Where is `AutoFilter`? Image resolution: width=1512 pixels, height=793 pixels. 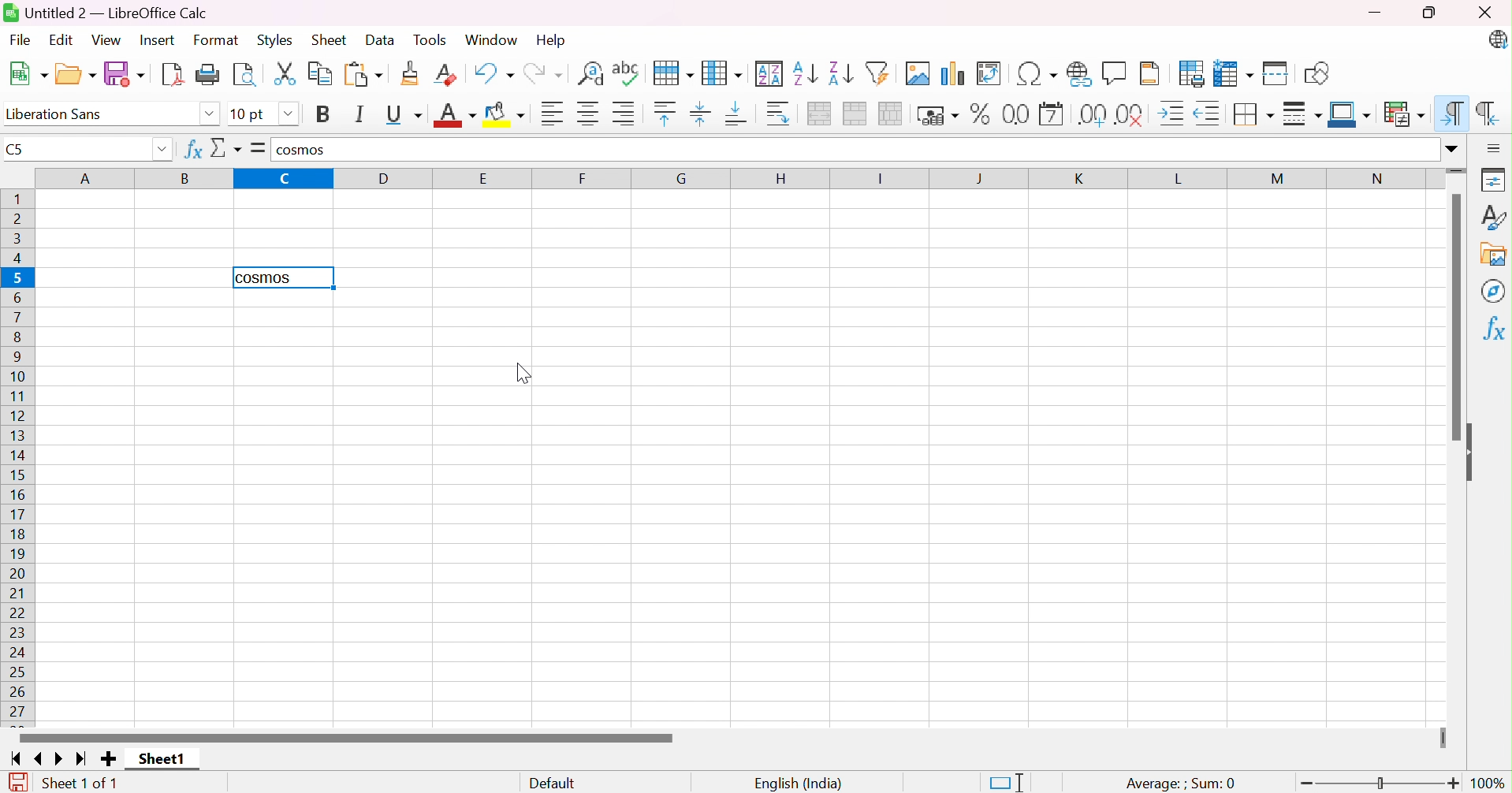
AutoFilter is located at coordinates (882, 72).